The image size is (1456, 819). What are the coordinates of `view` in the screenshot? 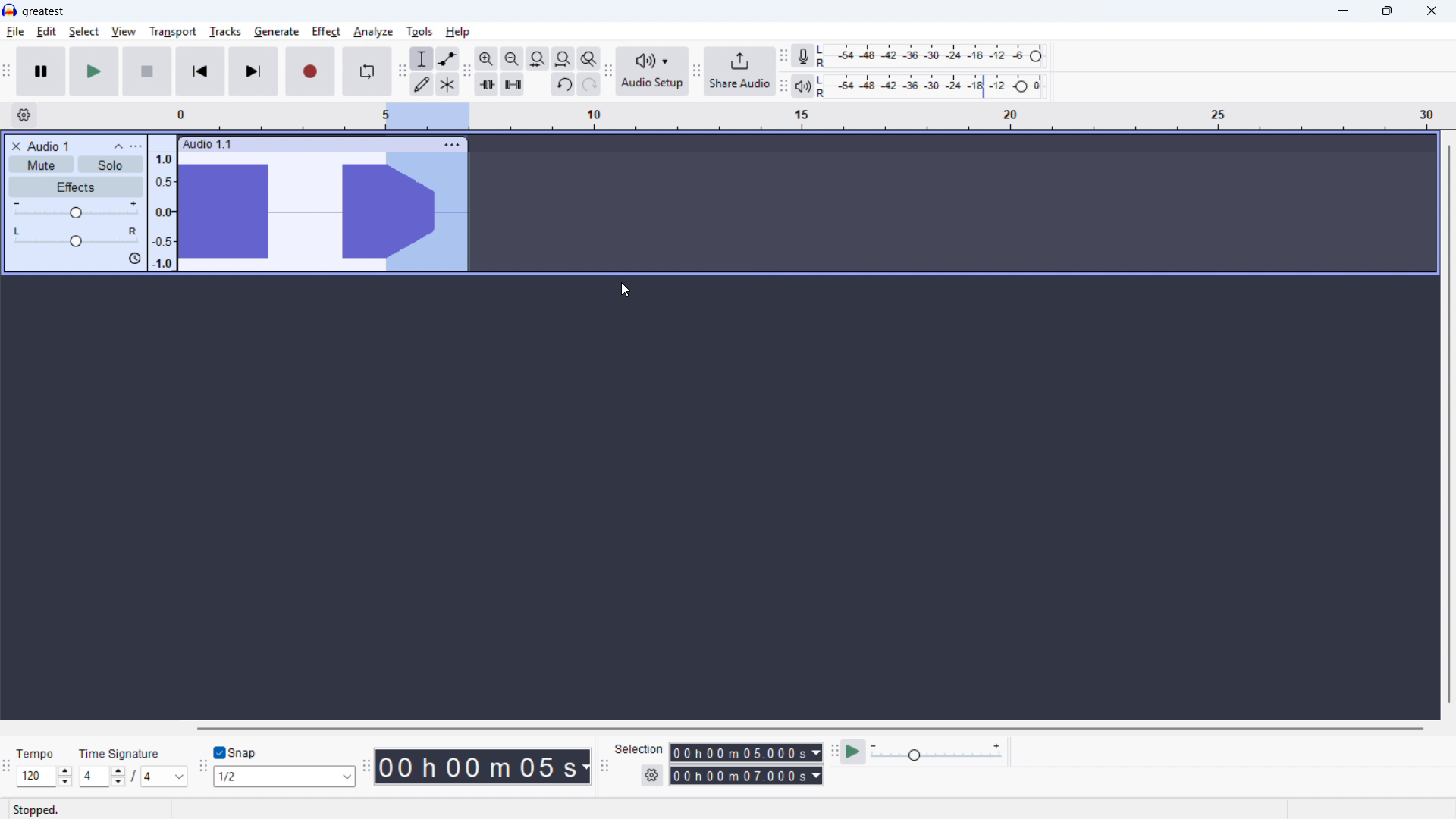 It's located at (124, 33).